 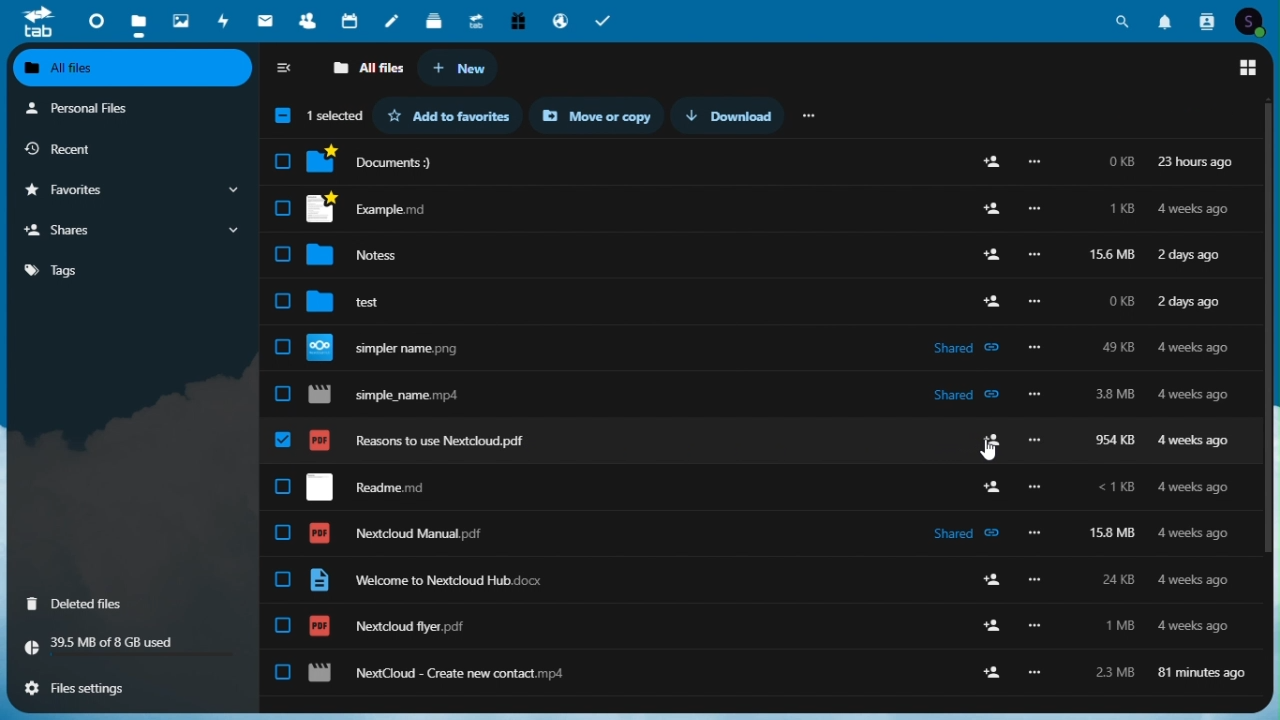 What do you see at coordinates (434, 22) in the screenshot?
I see `deck` at bounding box center [434, 22].